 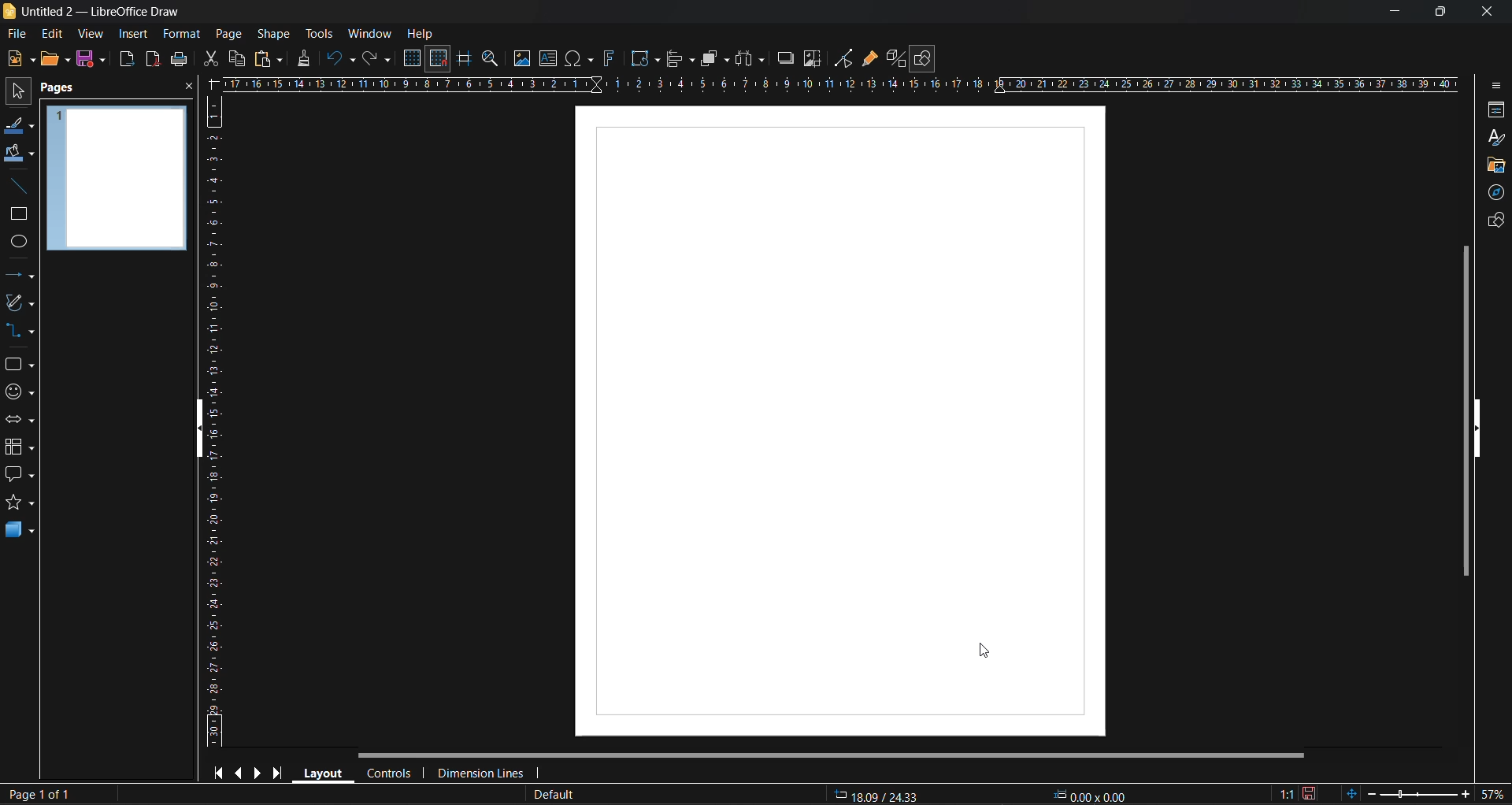 I want to click on line color, so click(x=20, y=128).